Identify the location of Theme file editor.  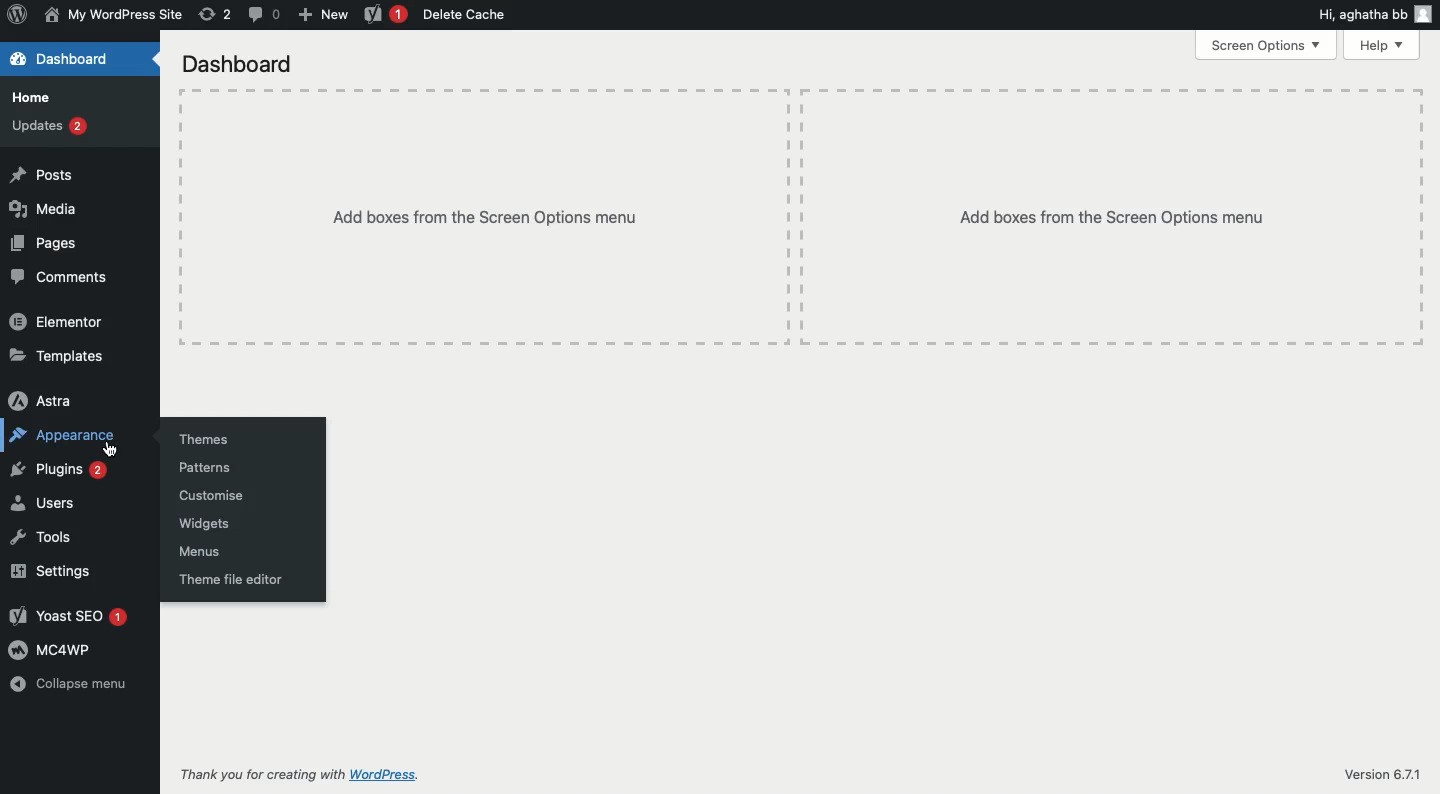
(235, 584).